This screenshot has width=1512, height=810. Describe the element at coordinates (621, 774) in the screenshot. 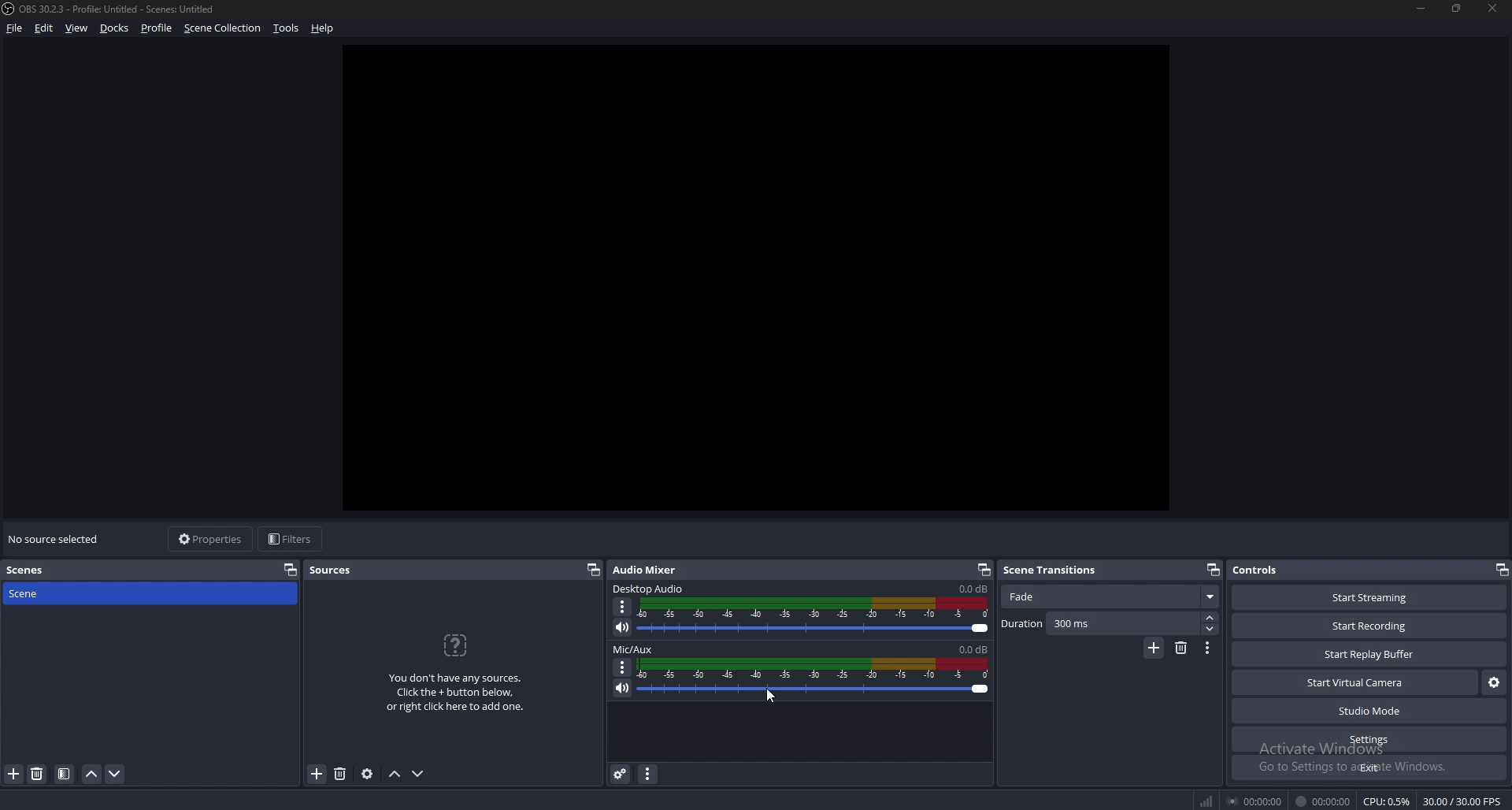

I see `advanced audio properties` at that location.